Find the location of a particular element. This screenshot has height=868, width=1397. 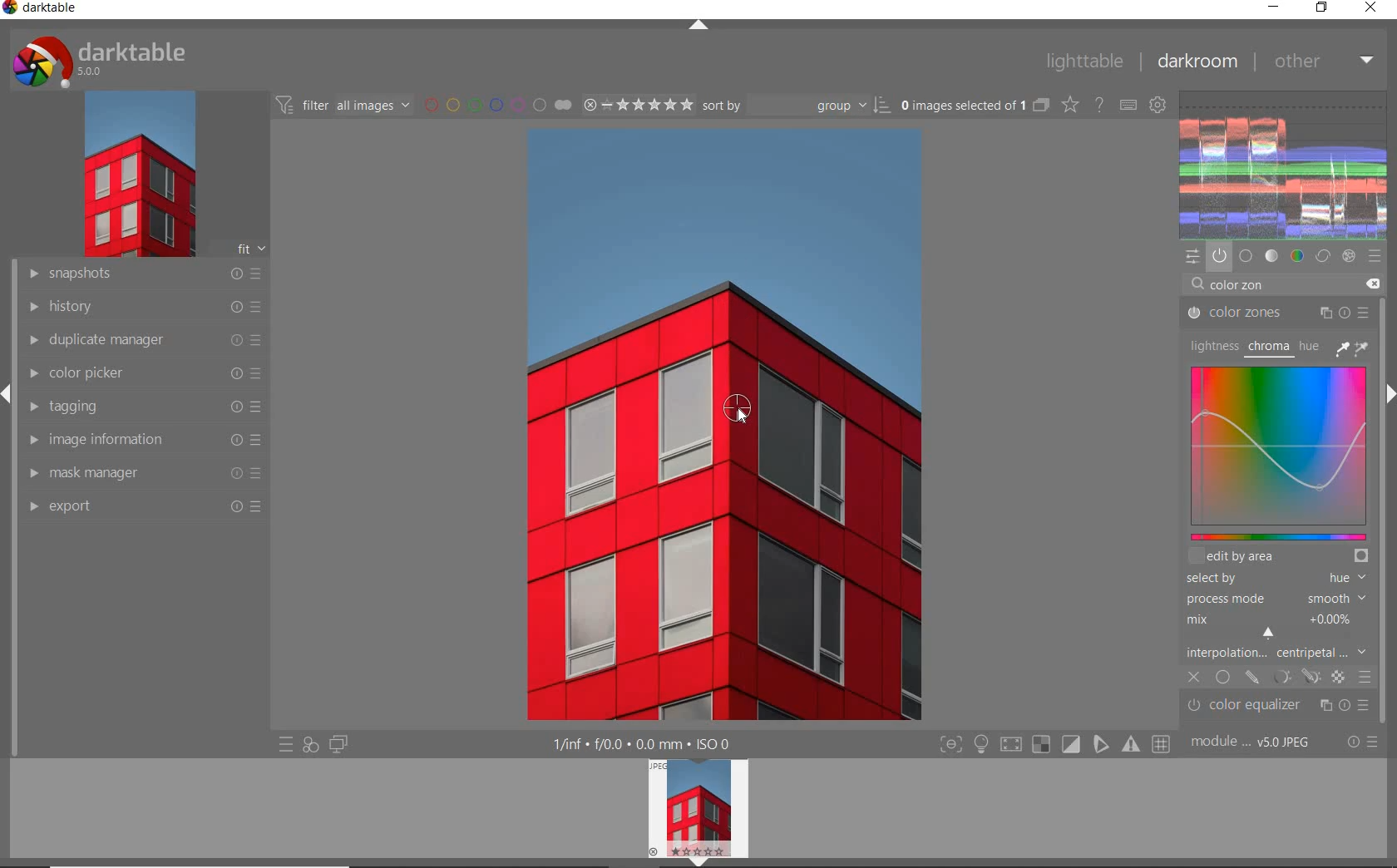

tone is located at coordinates (1272, 255).